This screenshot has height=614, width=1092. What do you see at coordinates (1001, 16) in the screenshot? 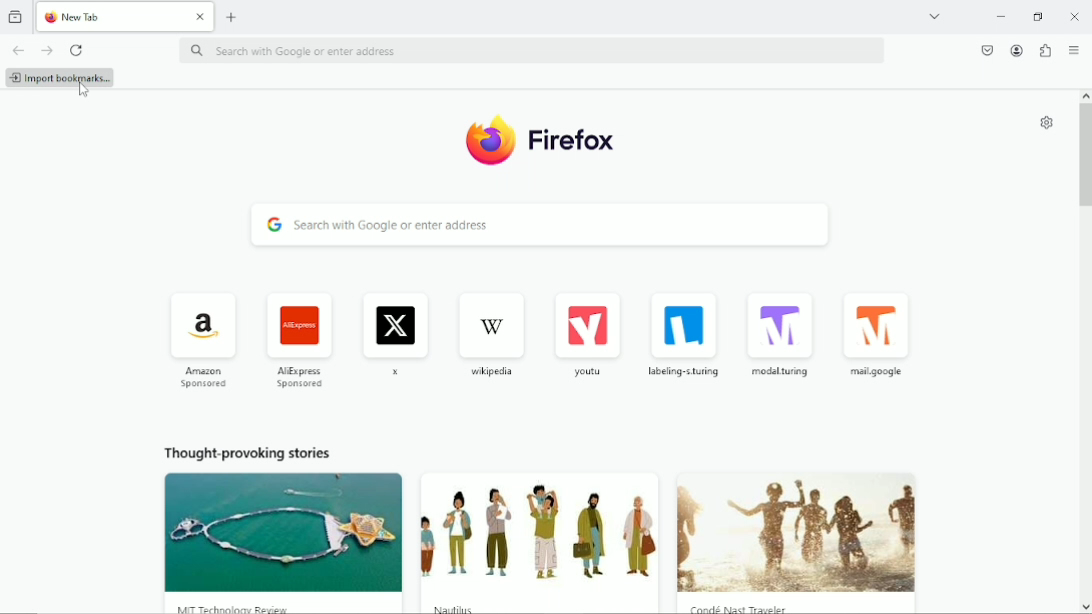
I see `Minimize` at bounding box center [1001, 16].